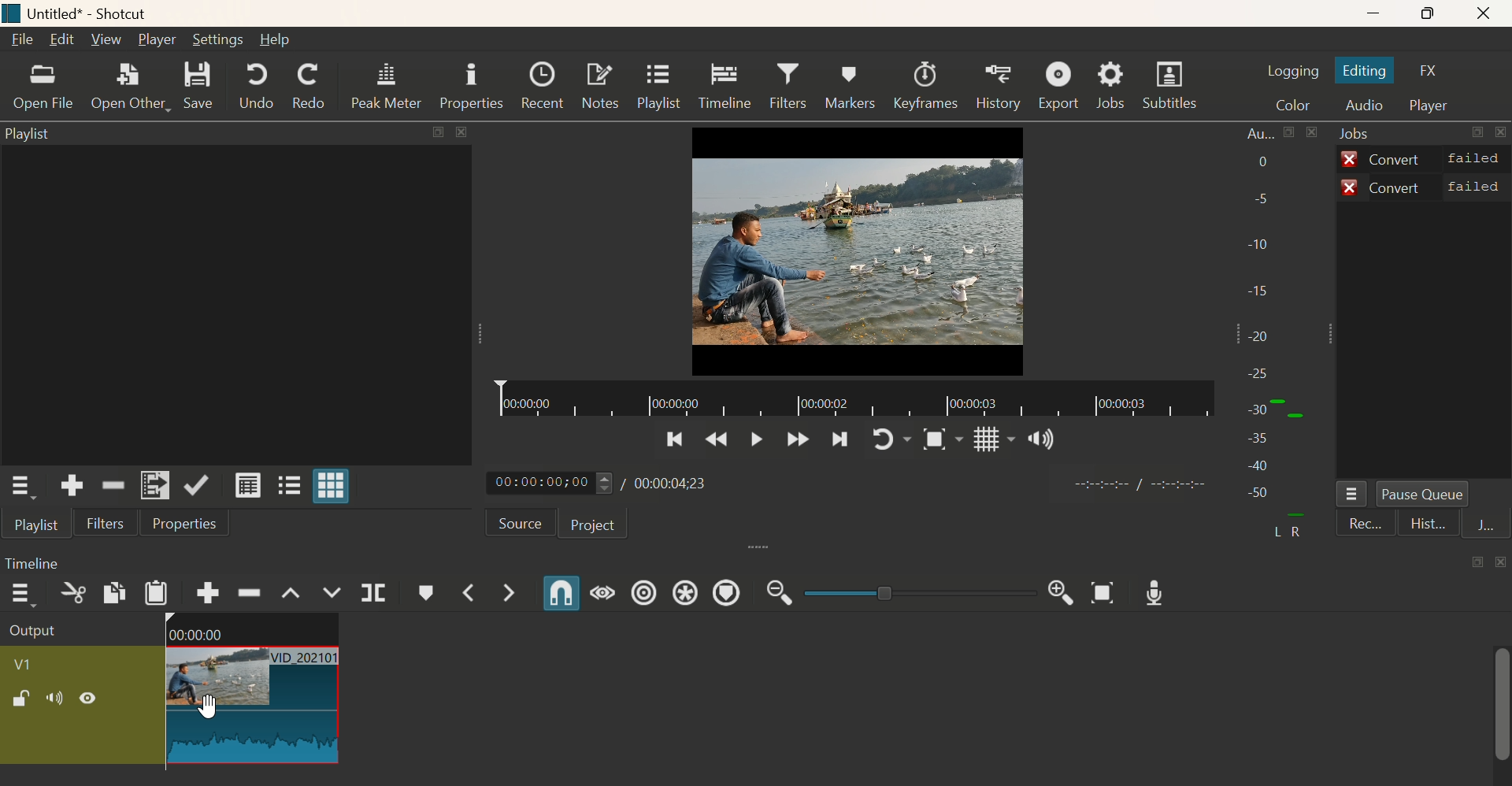  What do you see at coordinates (41, 91) in the screenshot?
I see `Open File` at bounding box center [41, 91].